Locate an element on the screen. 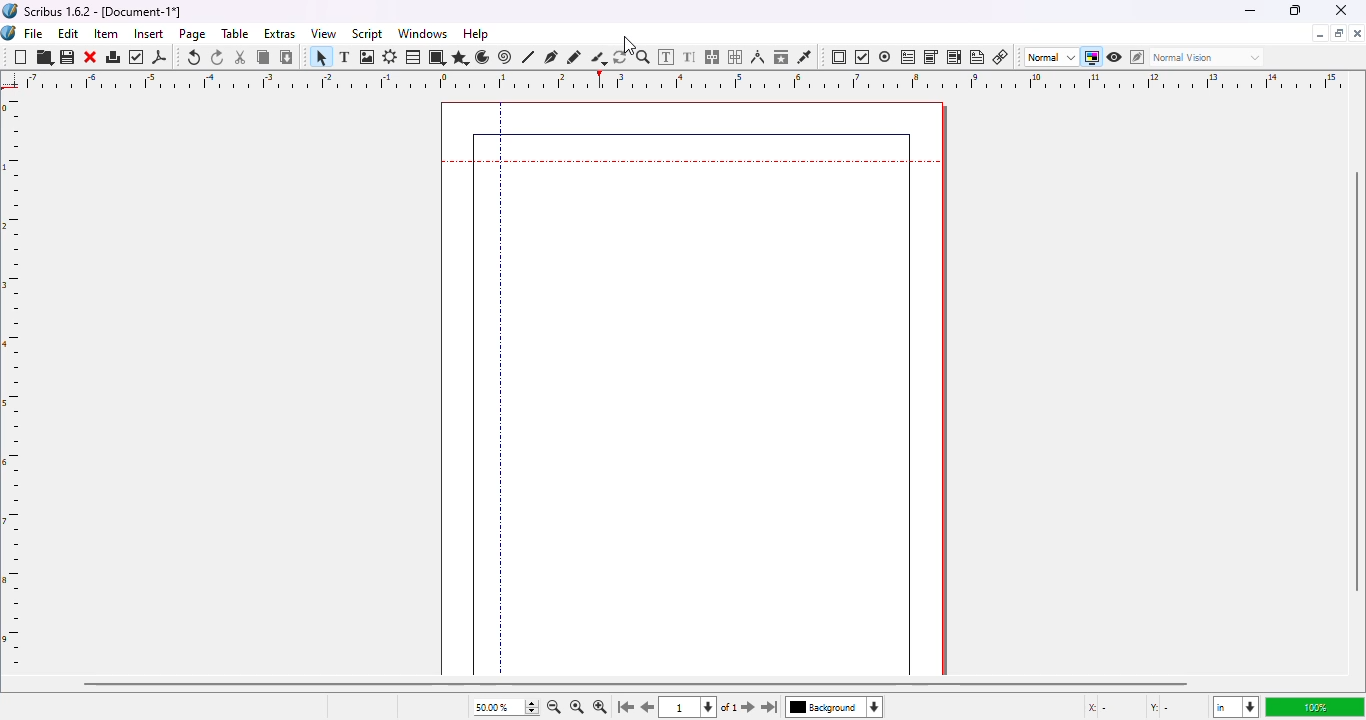  table is located at coordinates (236, 34).